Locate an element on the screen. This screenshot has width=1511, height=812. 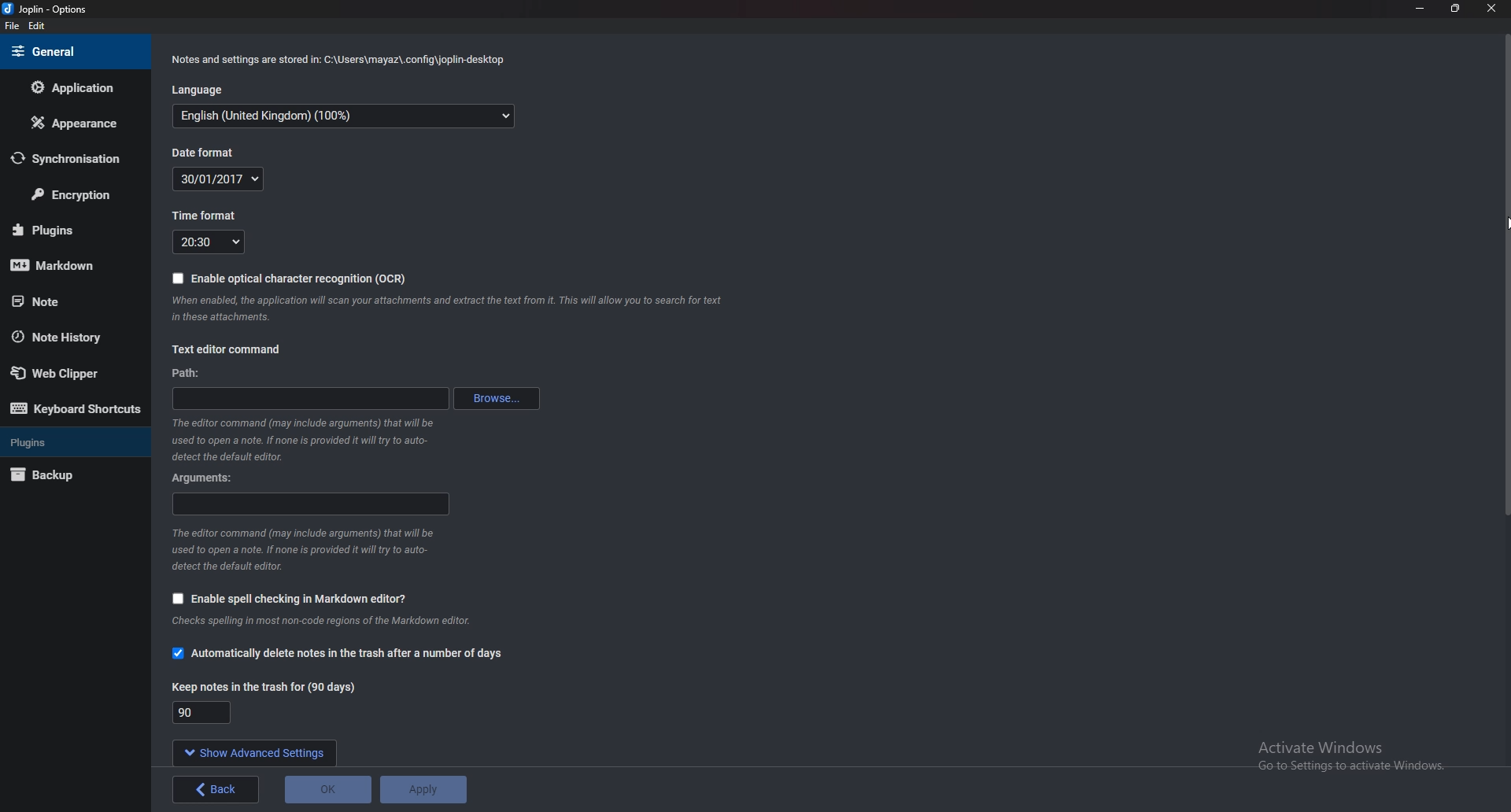
back is located at coordinates (218, 789).